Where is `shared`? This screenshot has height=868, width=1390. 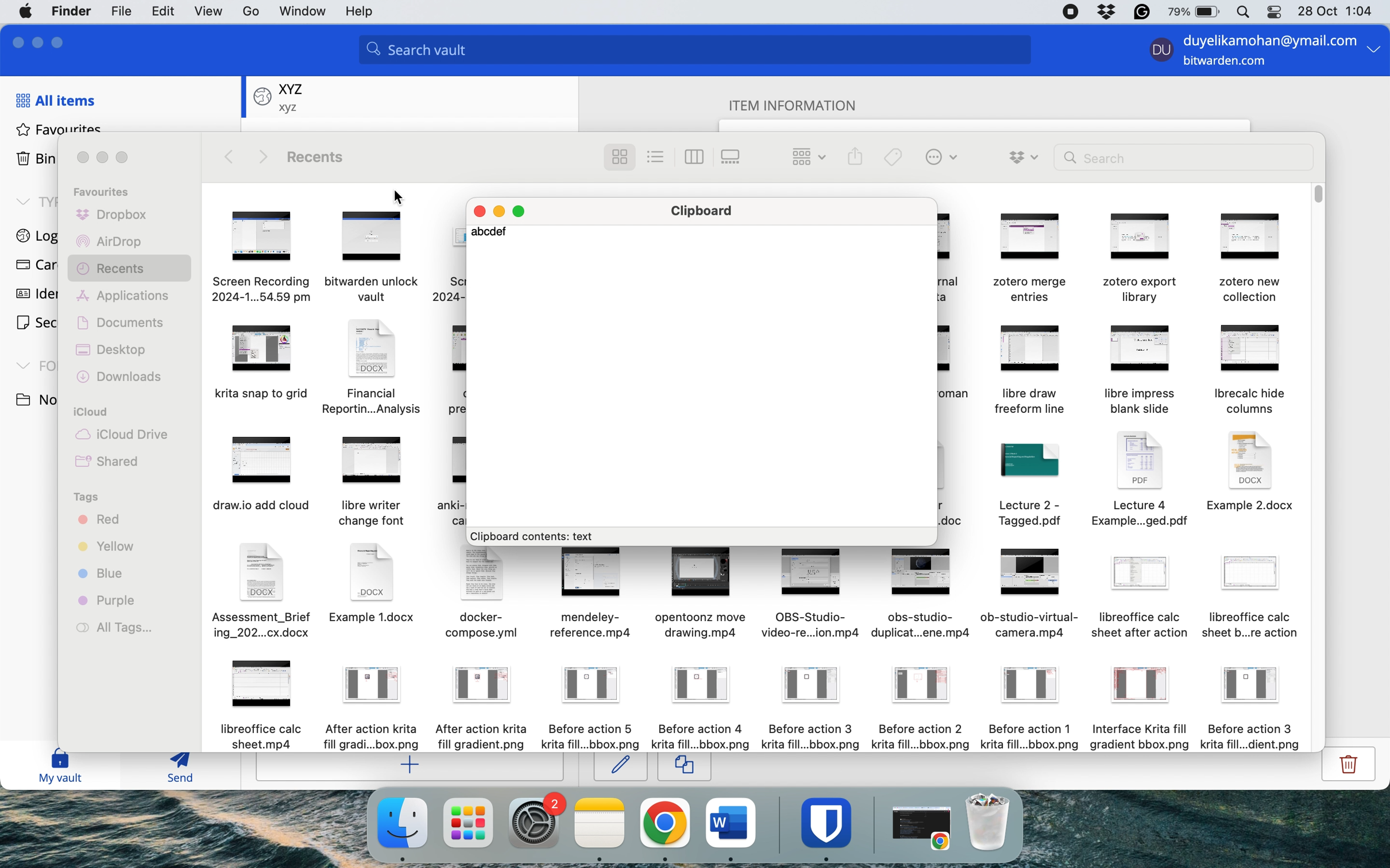
shared is located at coordinates (111, 464).